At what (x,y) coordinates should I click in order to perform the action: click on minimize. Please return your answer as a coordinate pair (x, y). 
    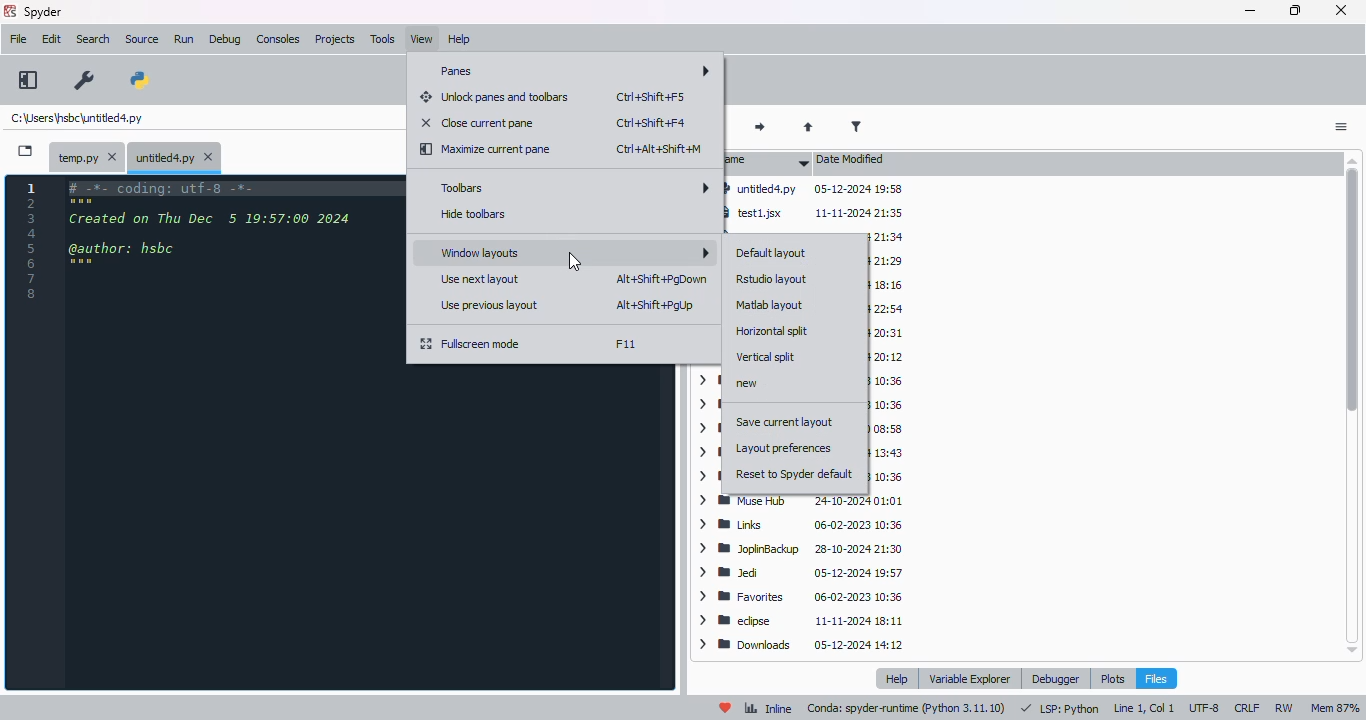
    Looking at the image, I should click on (1250, 11).